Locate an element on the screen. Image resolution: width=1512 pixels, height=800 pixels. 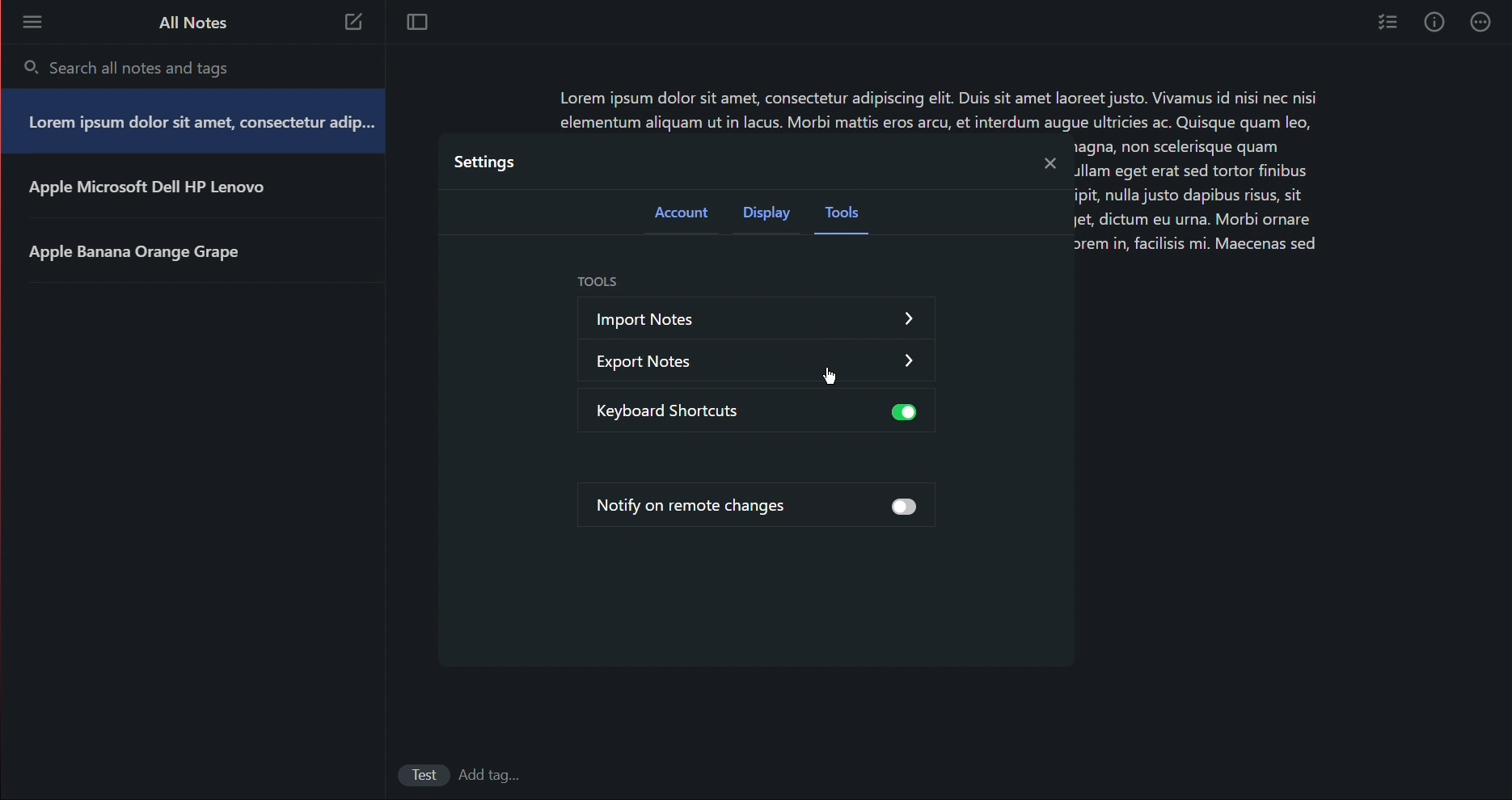
Import Notes is located at coordinates (702, 315).